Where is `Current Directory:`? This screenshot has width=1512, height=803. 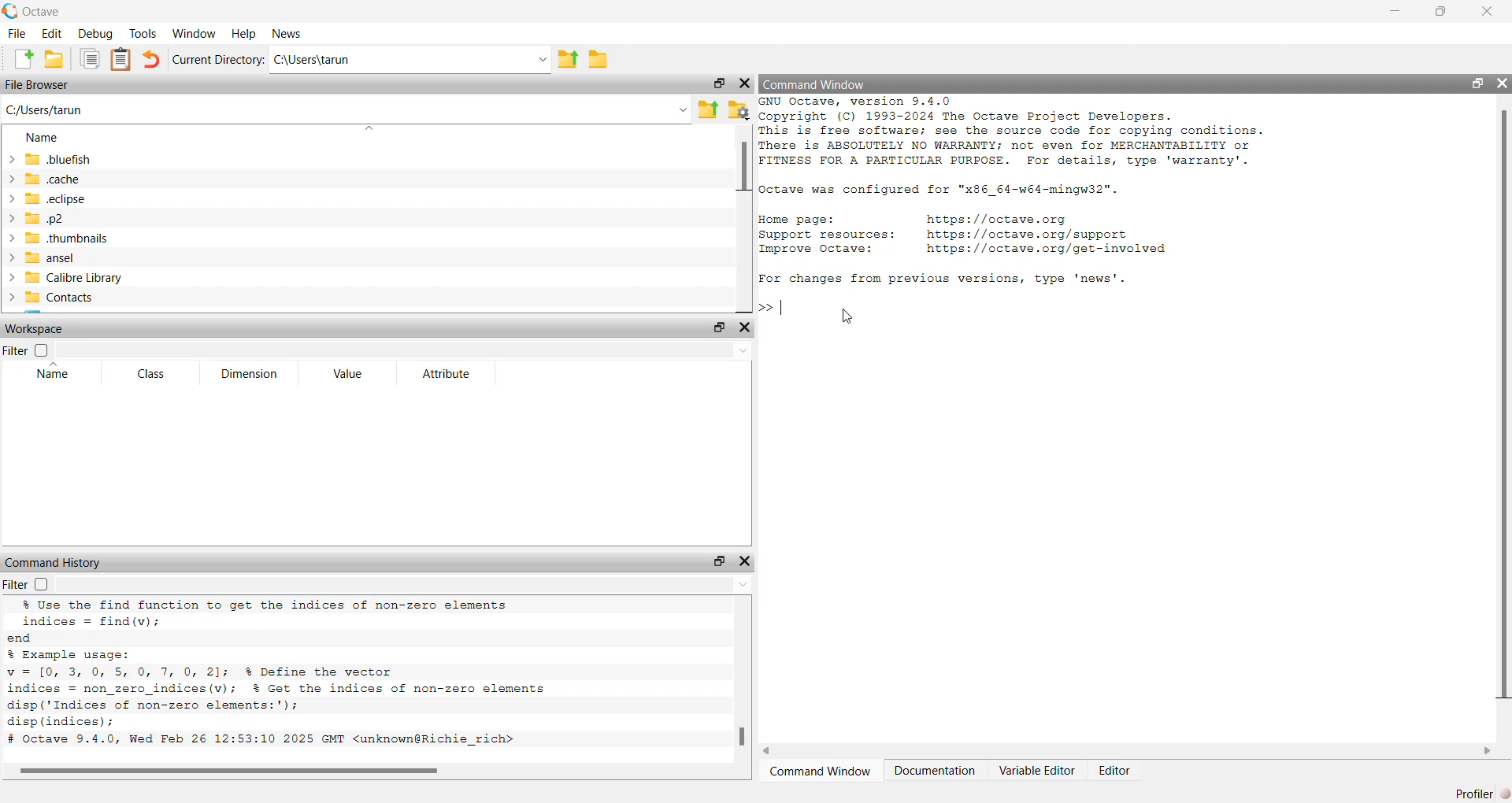 Current Directory: is located at coordinates (219, 58).